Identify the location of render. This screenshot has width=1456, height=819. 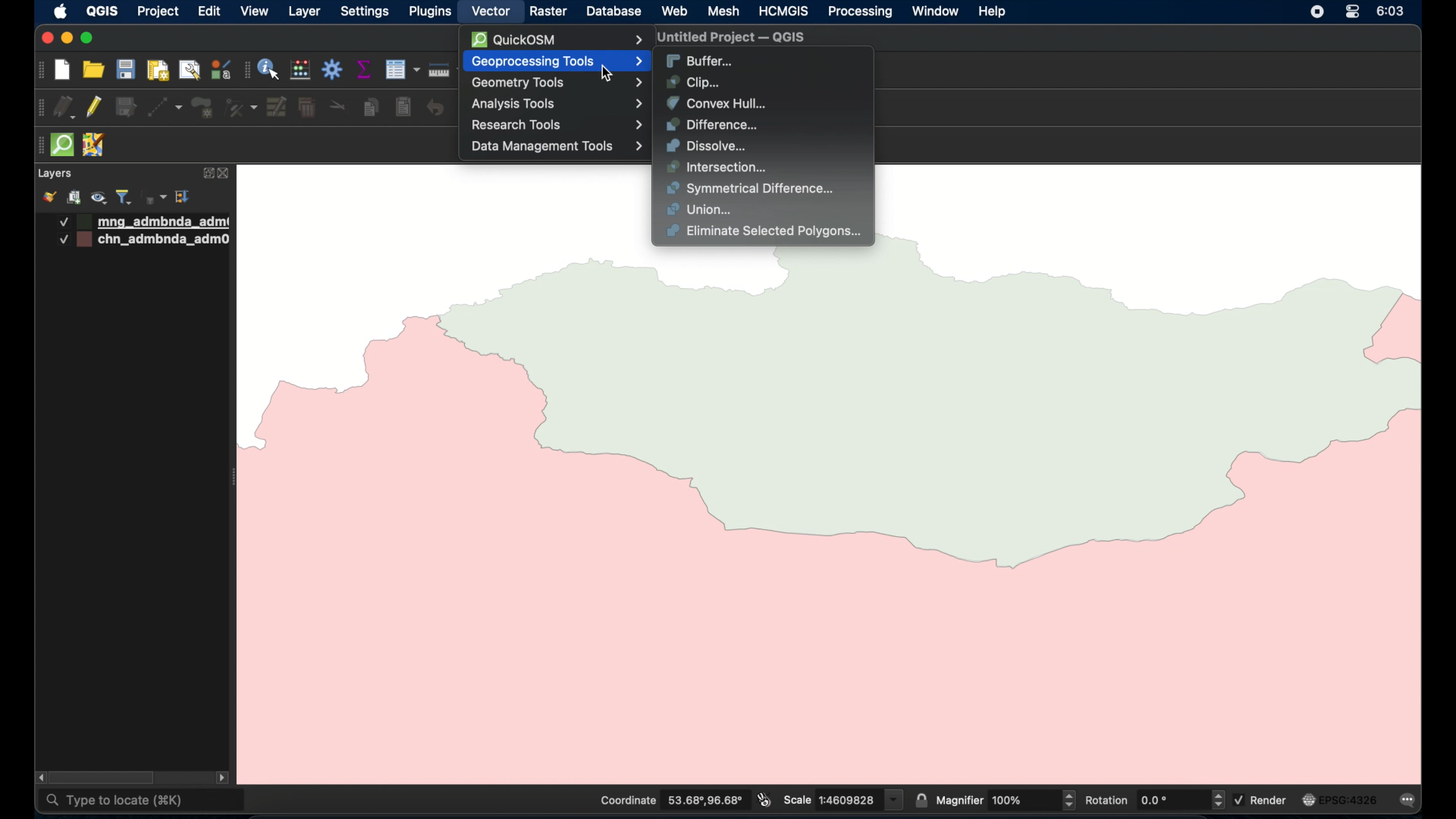
(1263, 799).